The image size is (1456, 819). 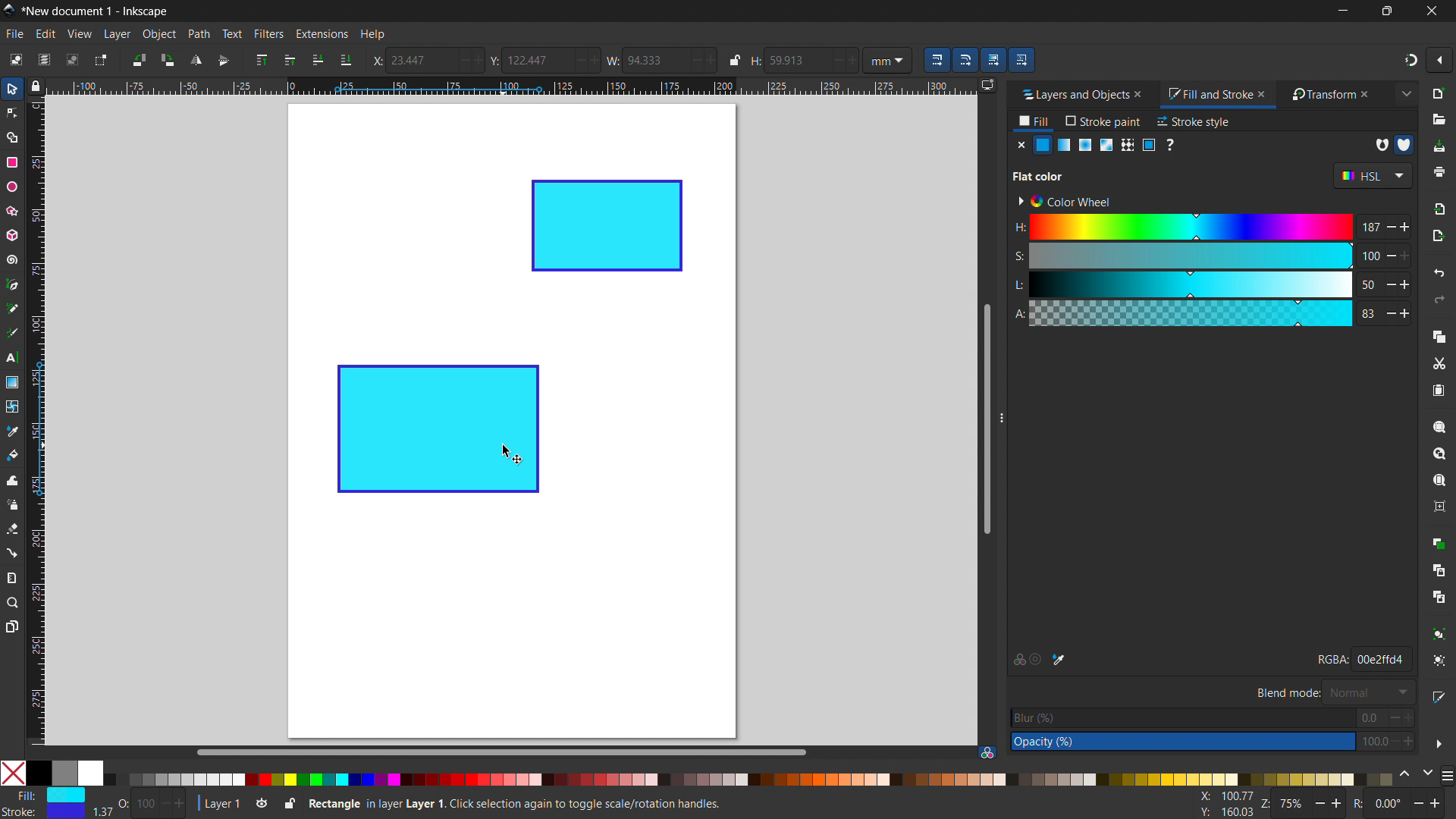 I want to click on close, so click(x=1265, y=93).